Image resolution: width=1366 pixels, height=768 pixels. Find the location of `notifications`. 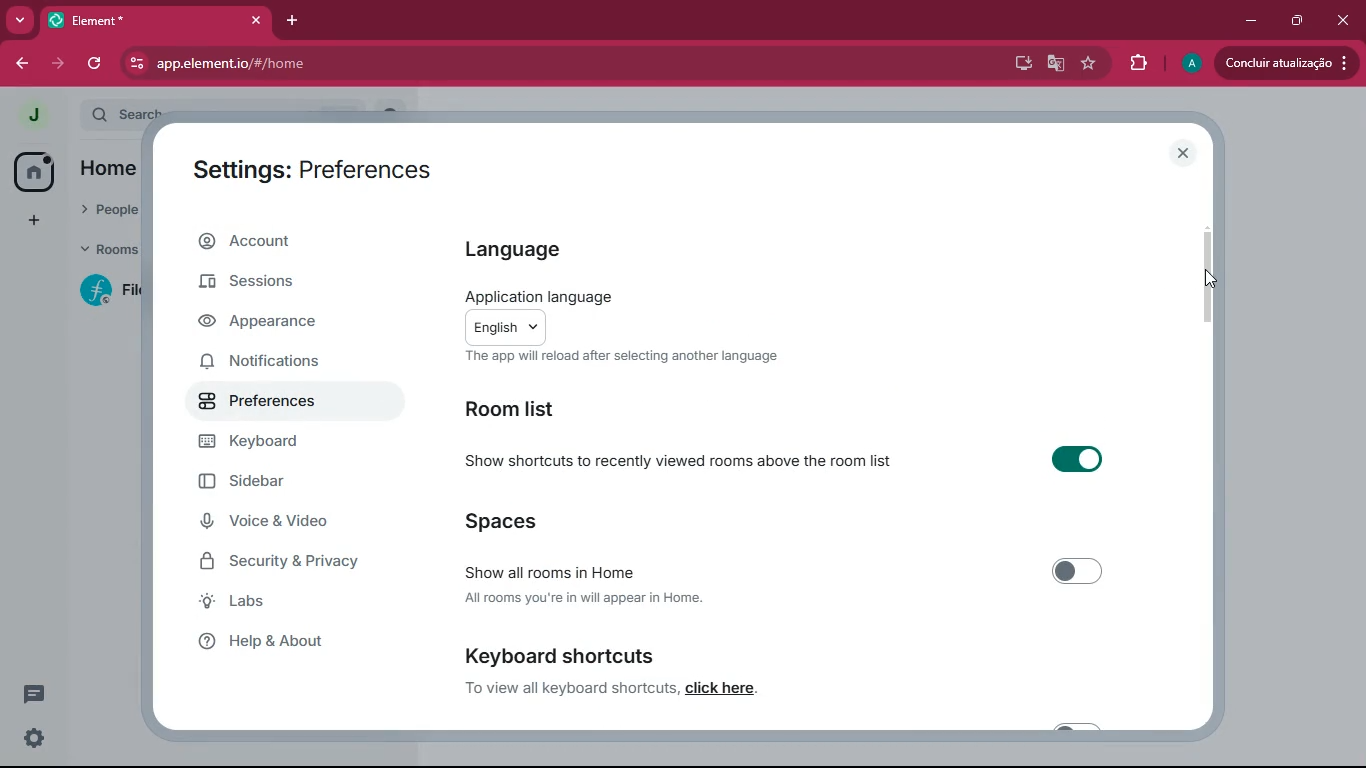

notifications is located at coordinates (275, 365).